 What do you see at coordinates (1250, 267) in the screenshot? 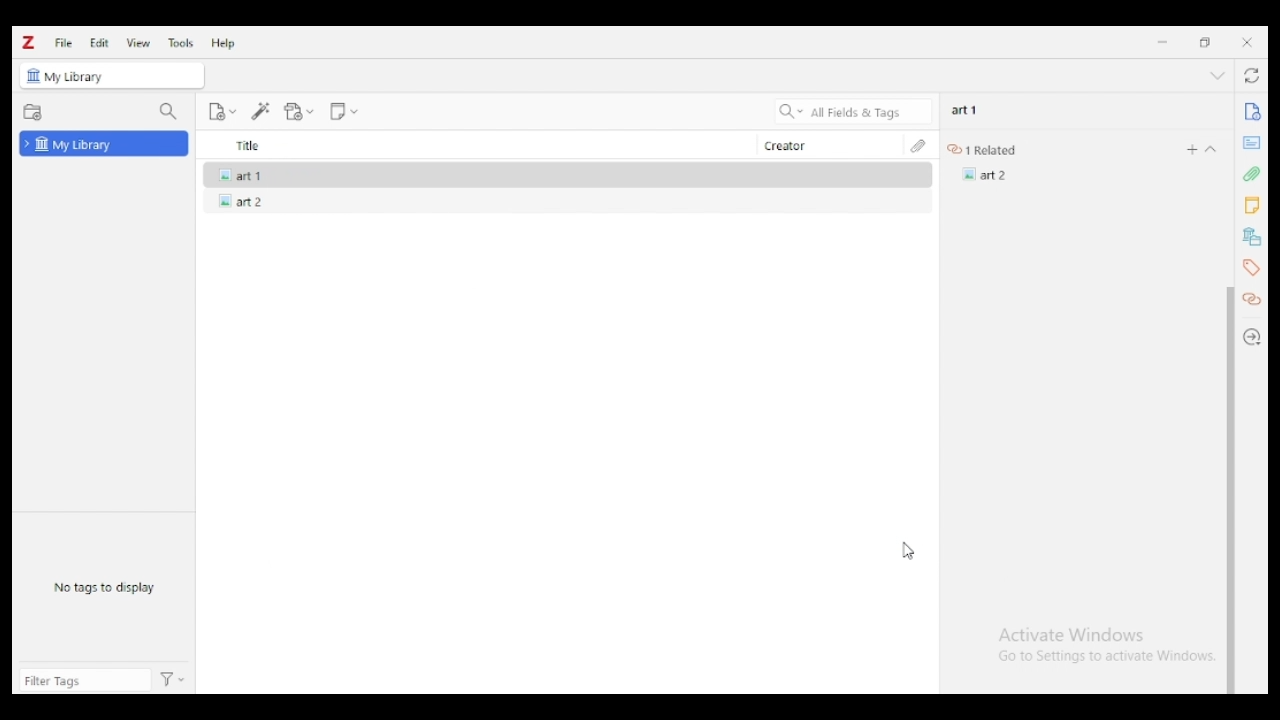
I see `tags` at bounding box center [1250, 267].